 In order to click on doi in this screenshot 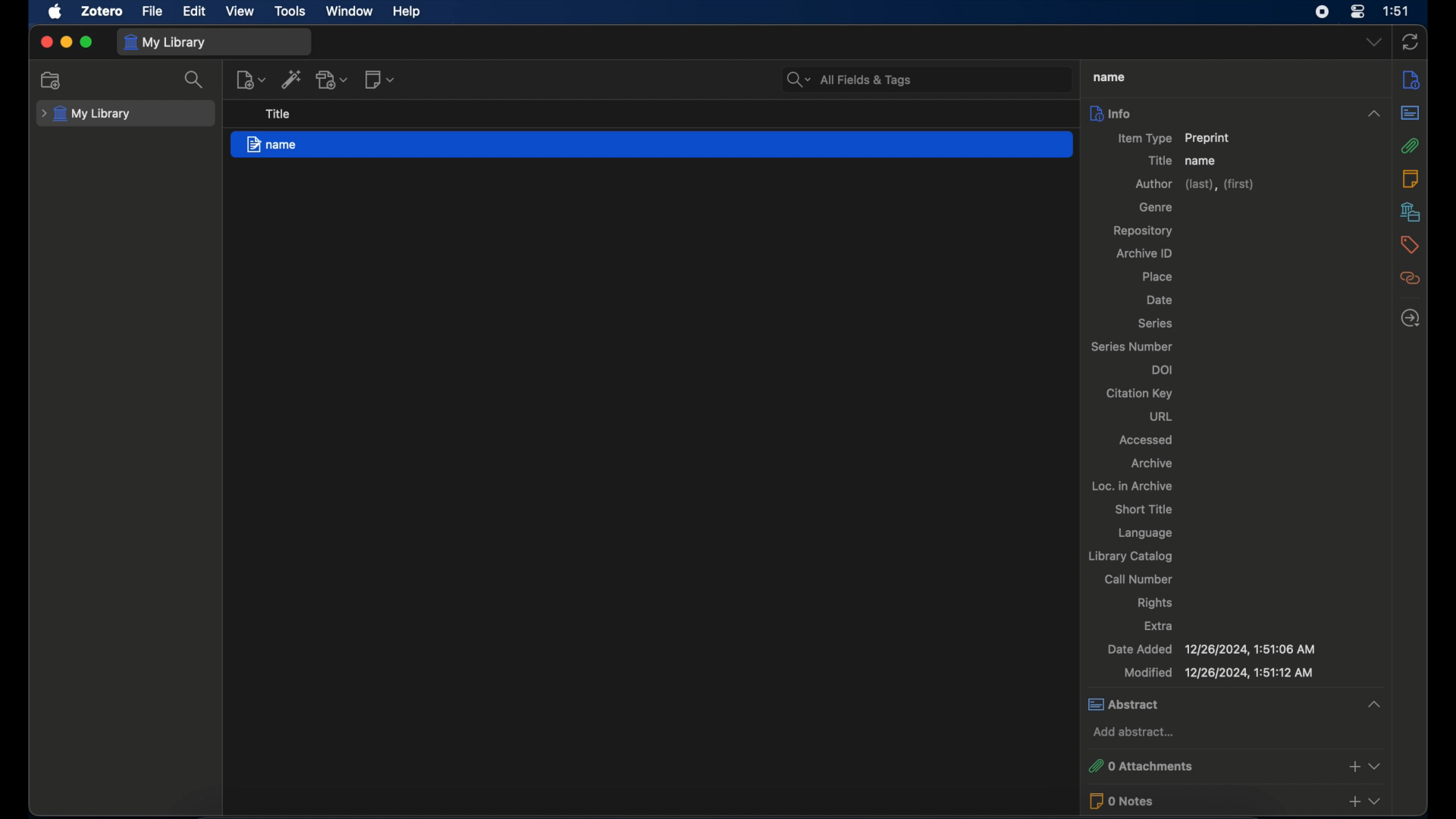, I will do `click(1161, 370)`.